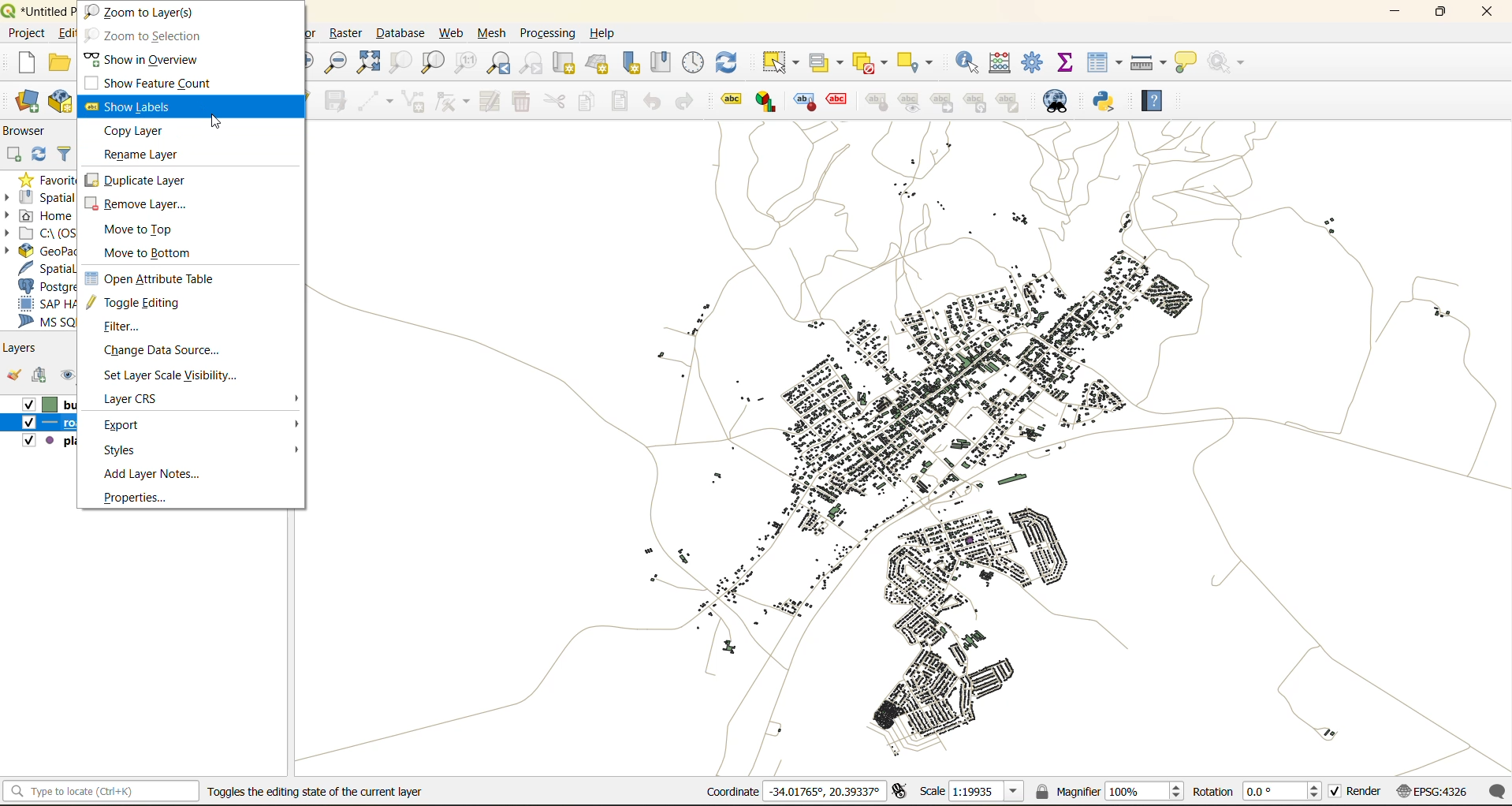  Describe the element at coordinates (598, 64) in the screenshot. I see `new 3d map` at that location.